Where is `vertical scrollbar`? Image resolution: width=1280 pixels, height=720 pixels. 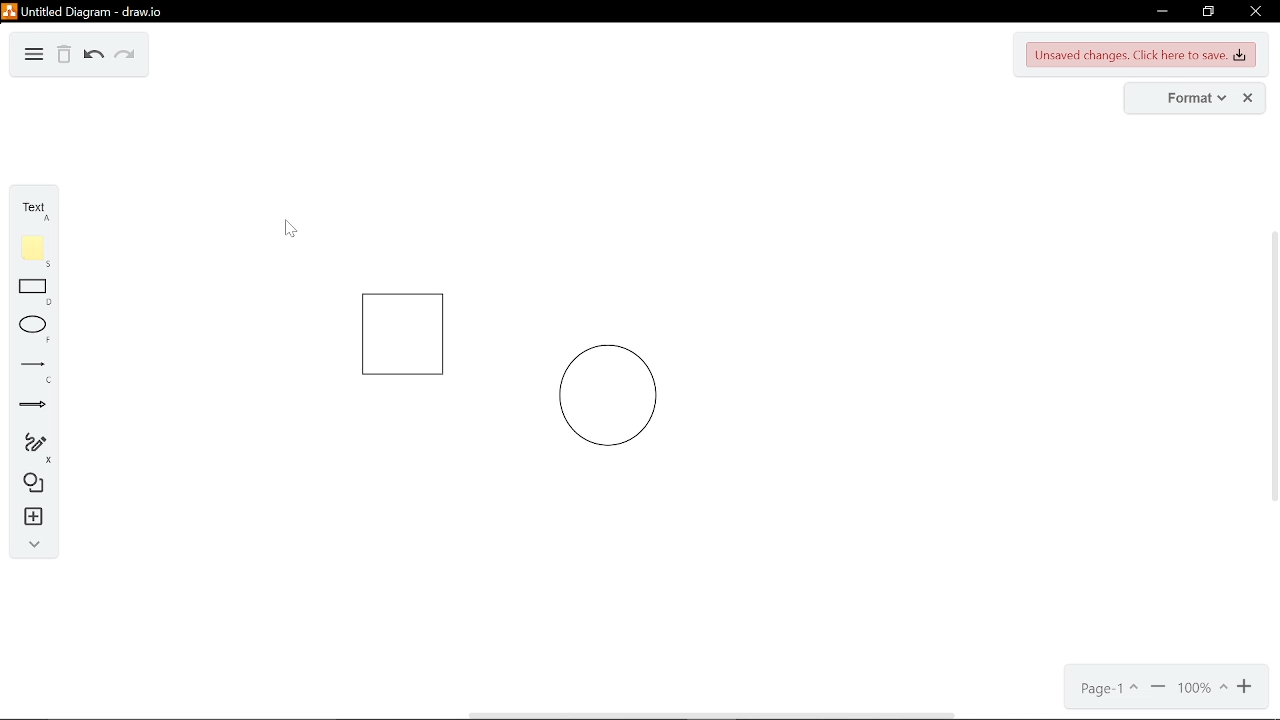
vertical scrollbar is located at coordinates (1272, 367).